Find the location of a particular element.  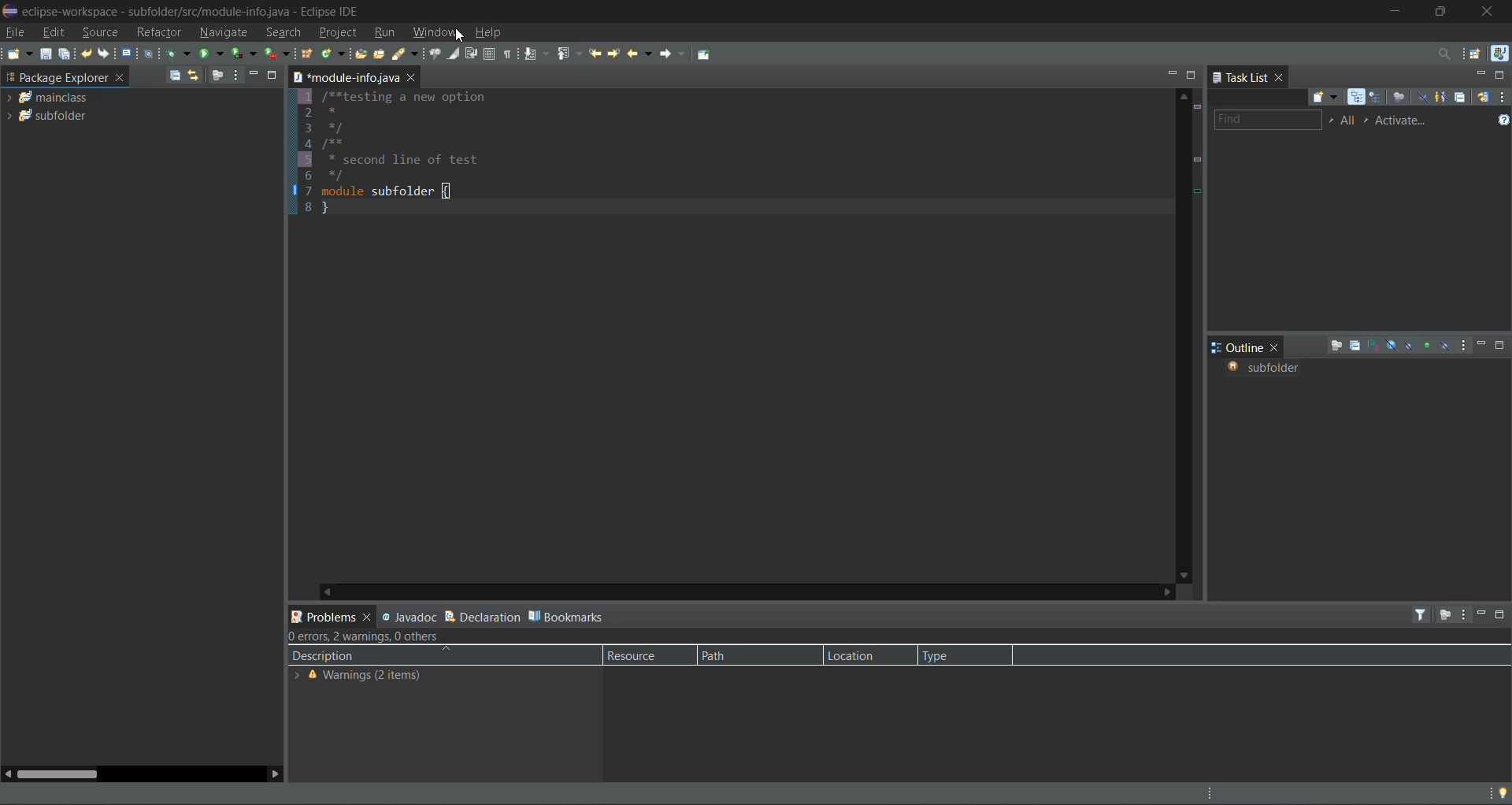

focus on active task is located at coordinates (1334, 347).